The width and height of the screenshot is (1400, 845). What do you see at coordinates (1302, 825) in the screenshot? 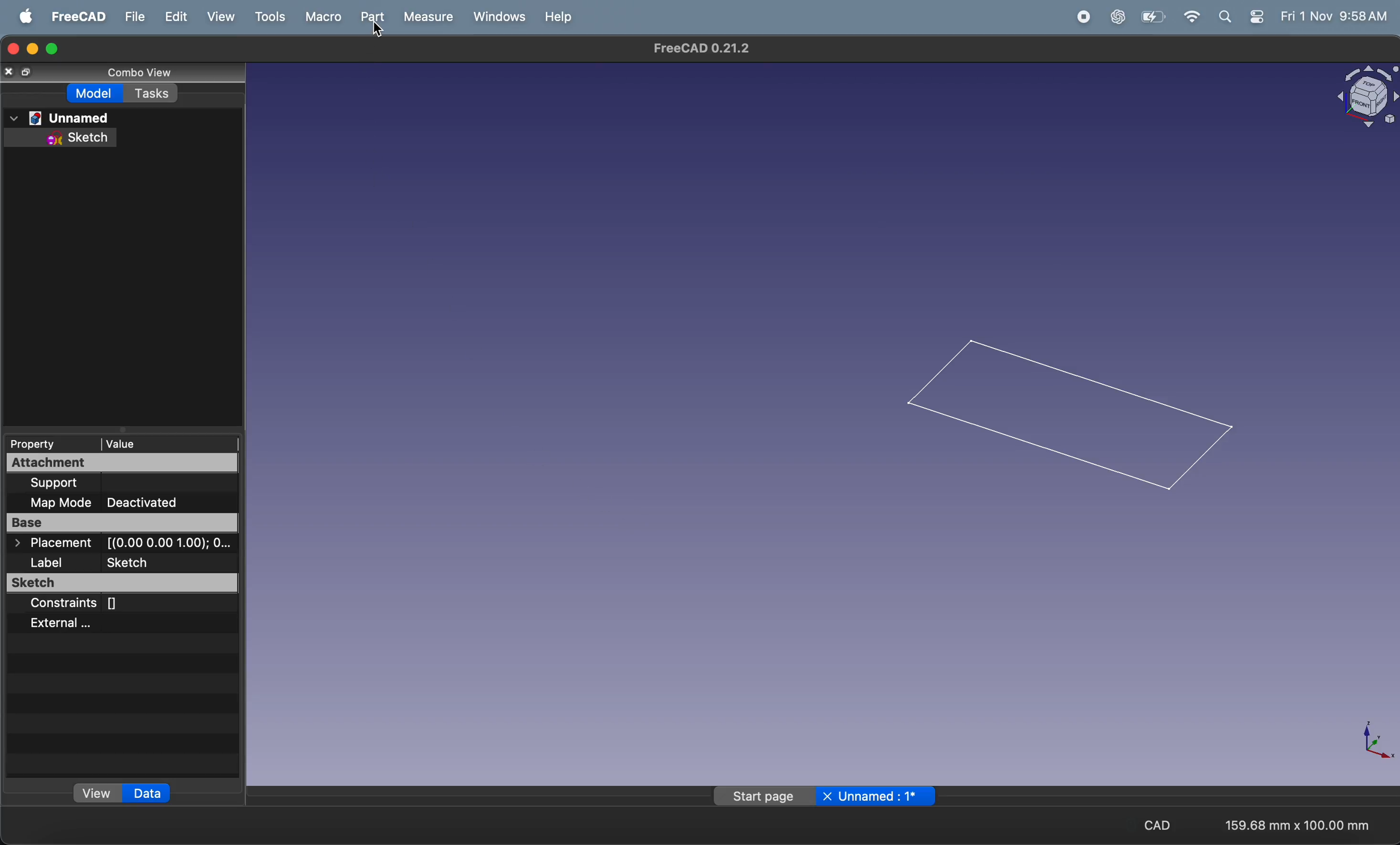
I see `aspect ratio` at bounding box center [1302, 825].